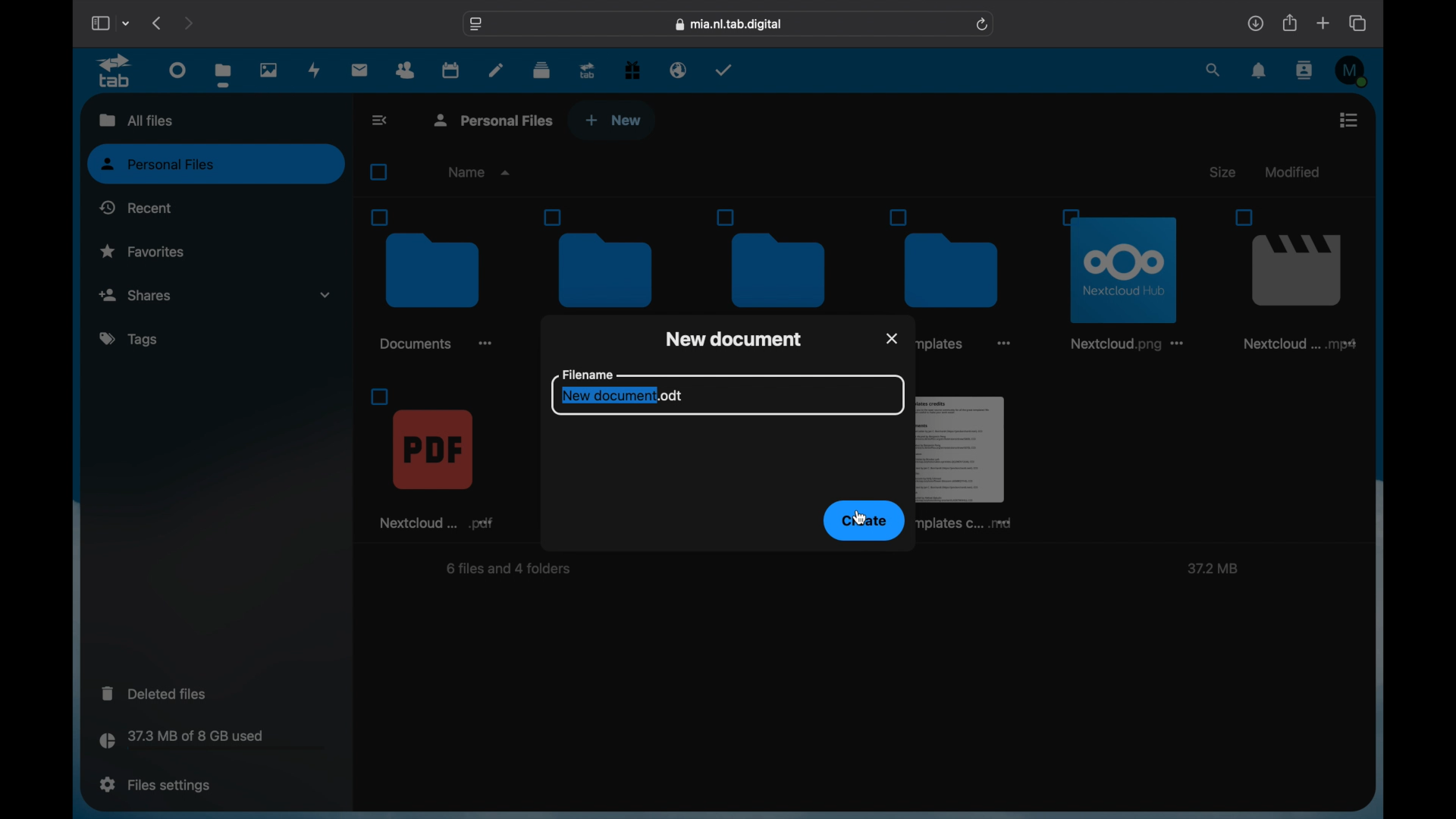  I want to click on upgrade, so click(588, 70).